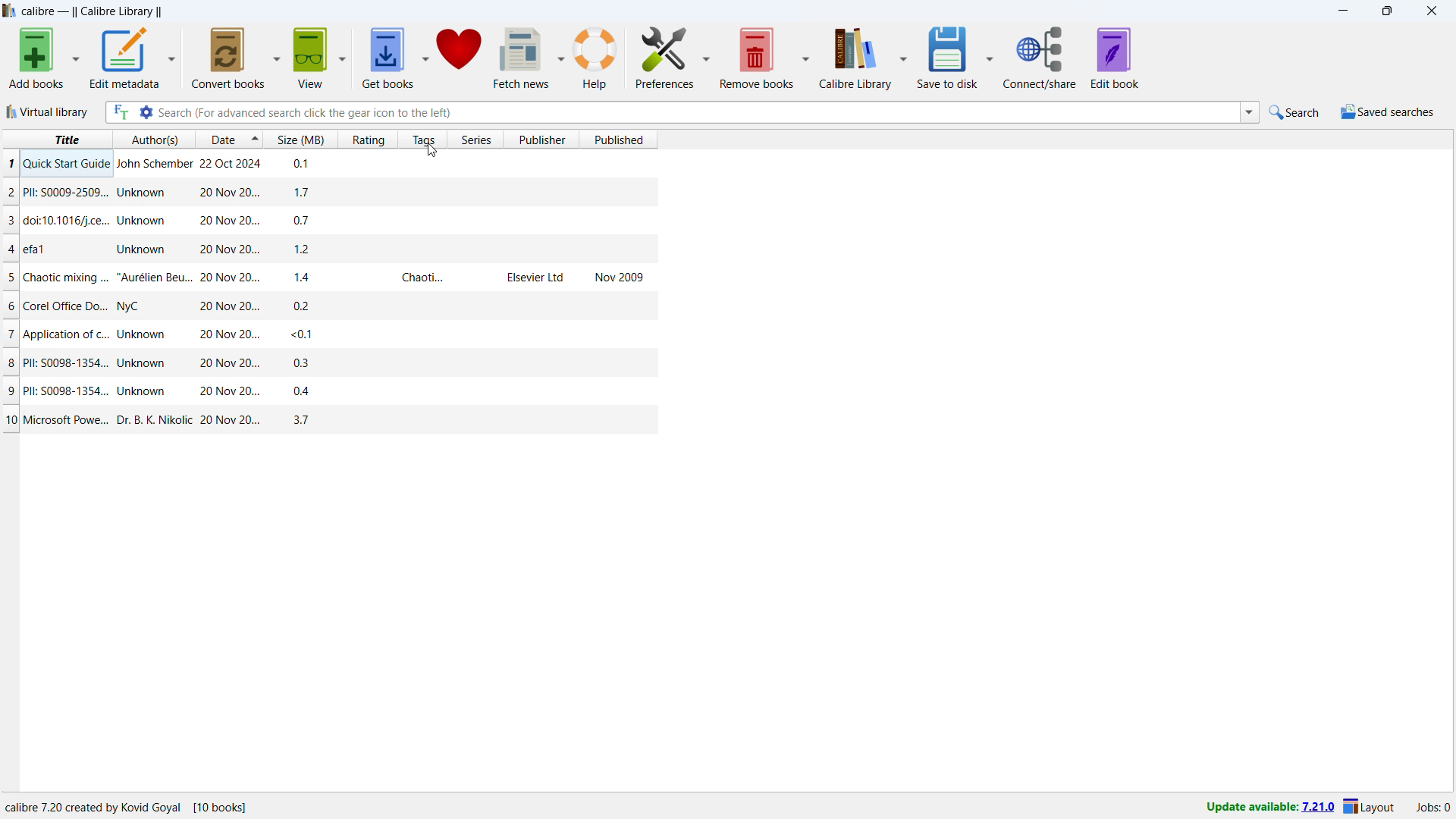 The width and height of the screenshot is (1456, 819). I want to click on preferences options, so click(705, 55).